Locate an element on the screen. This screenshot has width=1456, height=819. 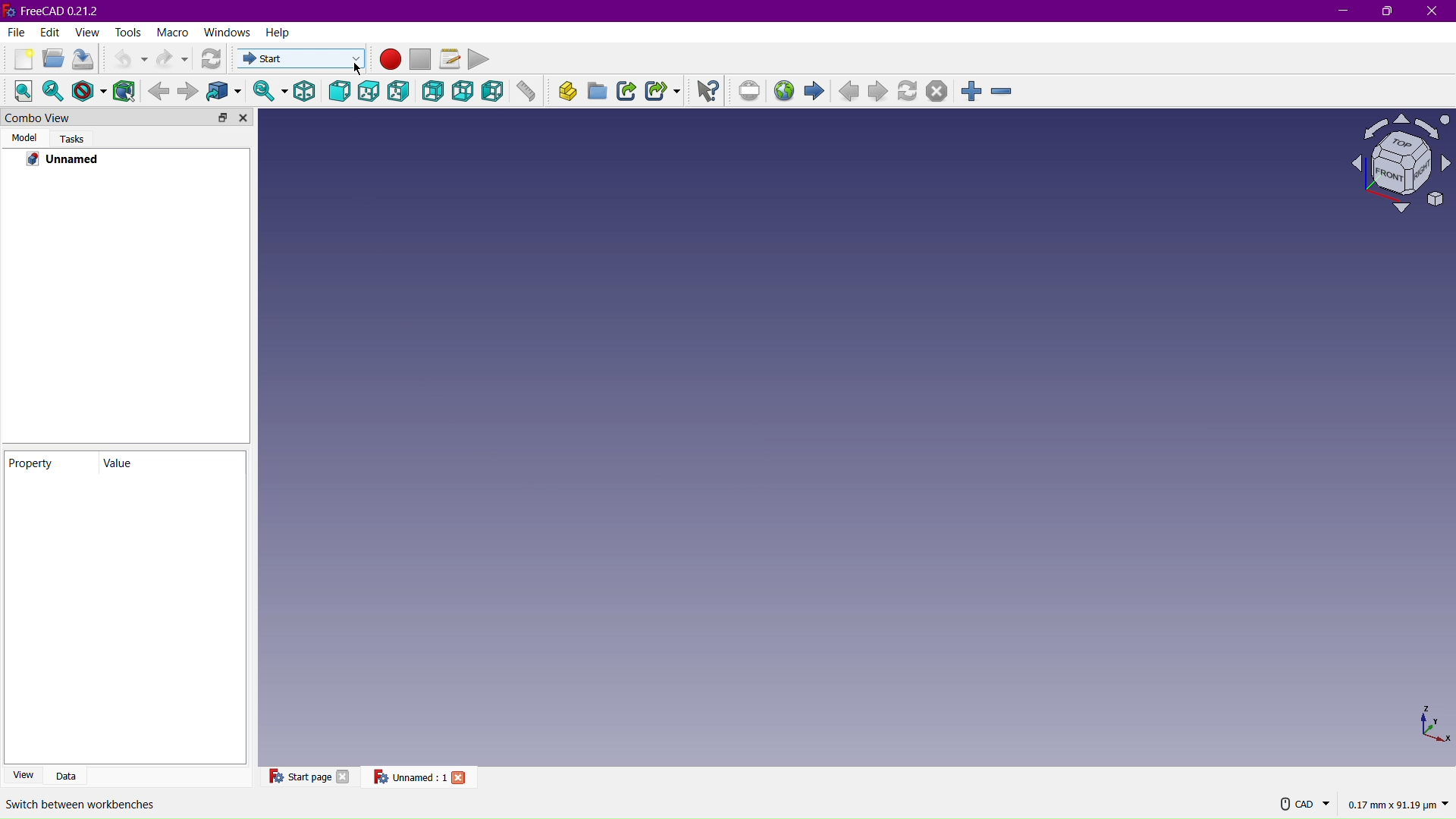
Isometric is located at coordinates (1394, 165).